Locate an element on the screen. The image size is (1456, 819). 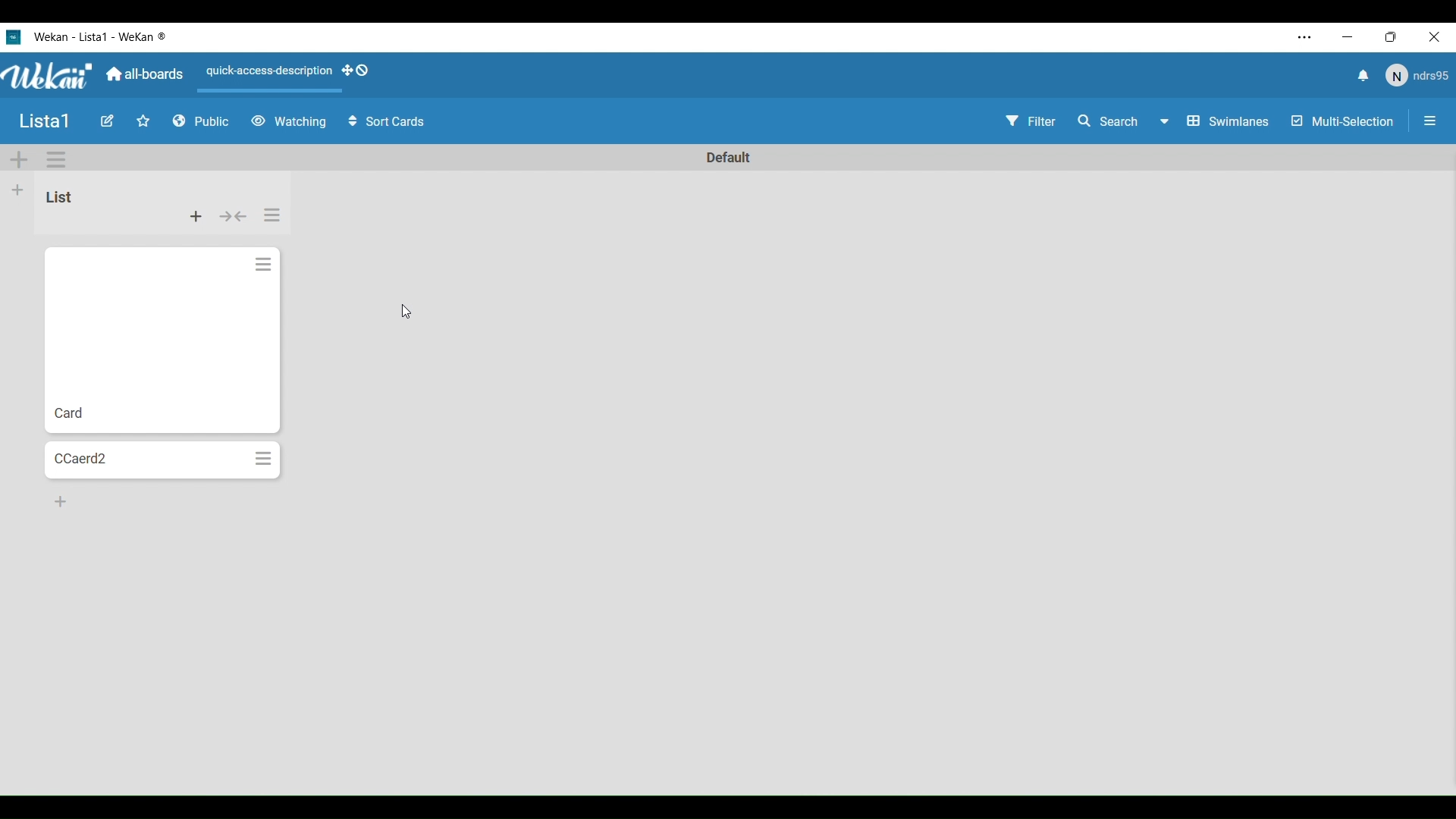
Add is located at coordinates (18, 190).